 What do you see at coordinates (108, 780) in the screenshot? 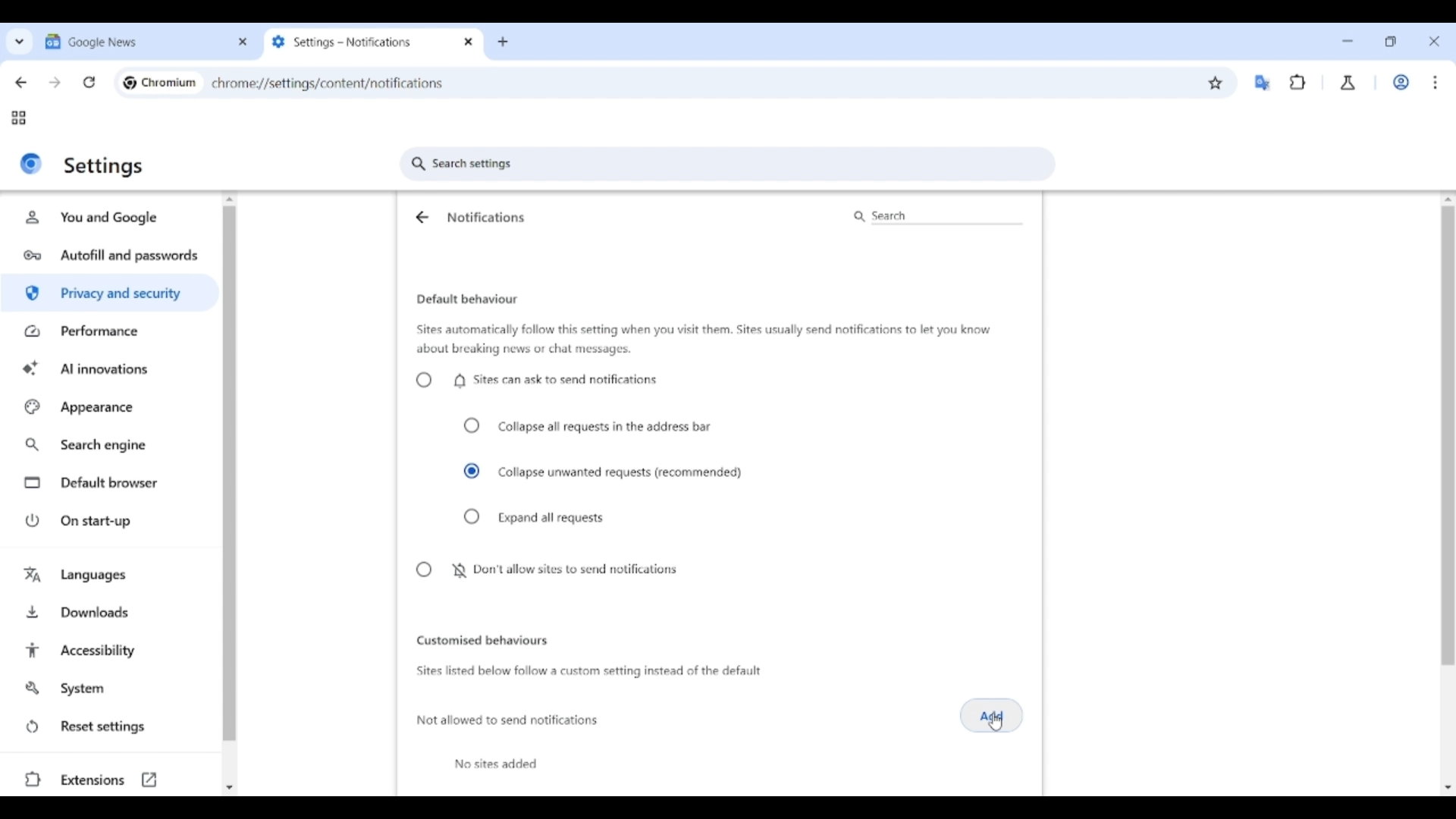
I see `Extensions` at bounding box center [108, 780].